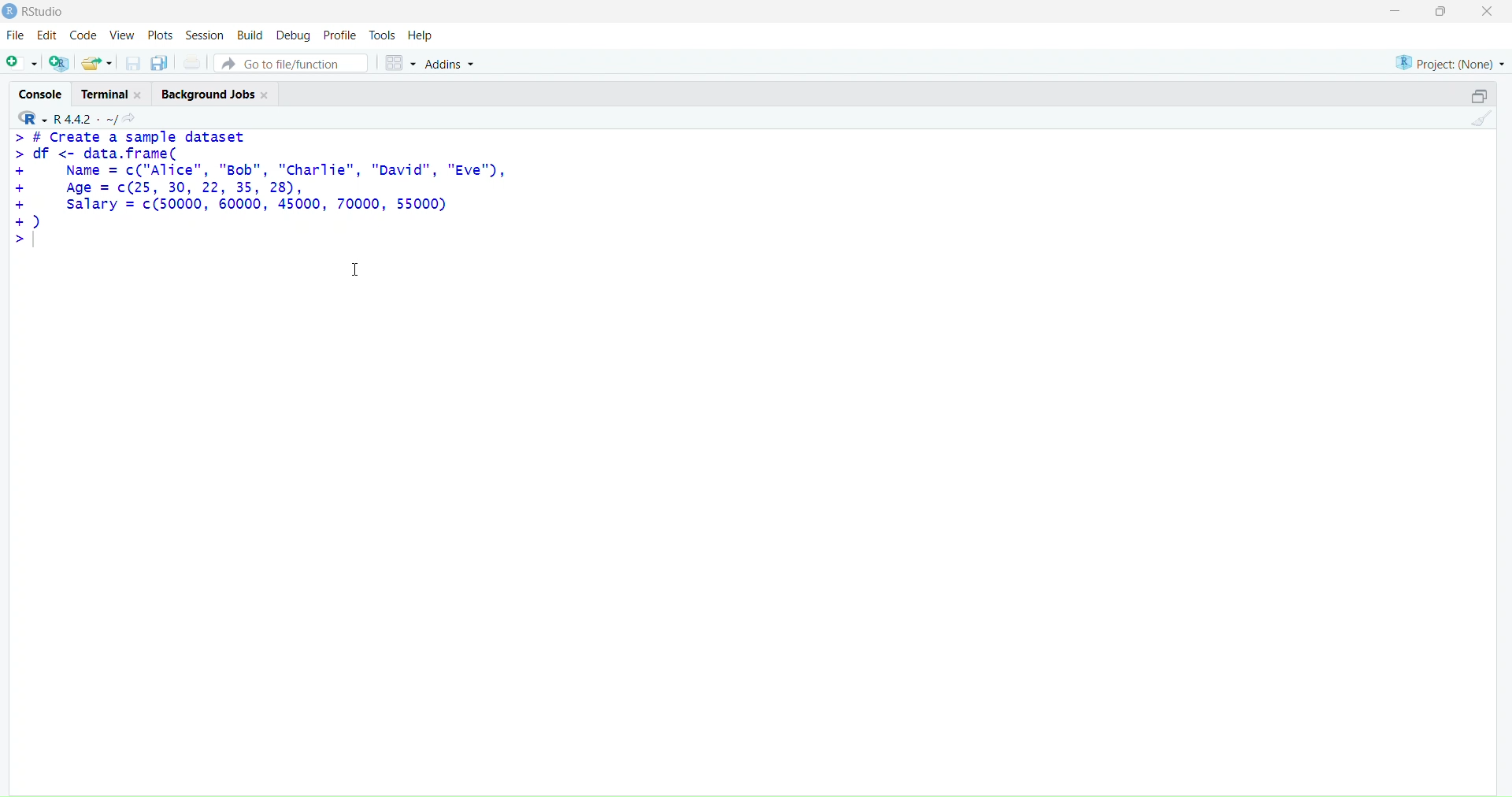 Image resolution: width=1512 pixels, height=797 pixels. Describe the element at coordinates (423, 35) in the screenshot. I see `help` at that location.